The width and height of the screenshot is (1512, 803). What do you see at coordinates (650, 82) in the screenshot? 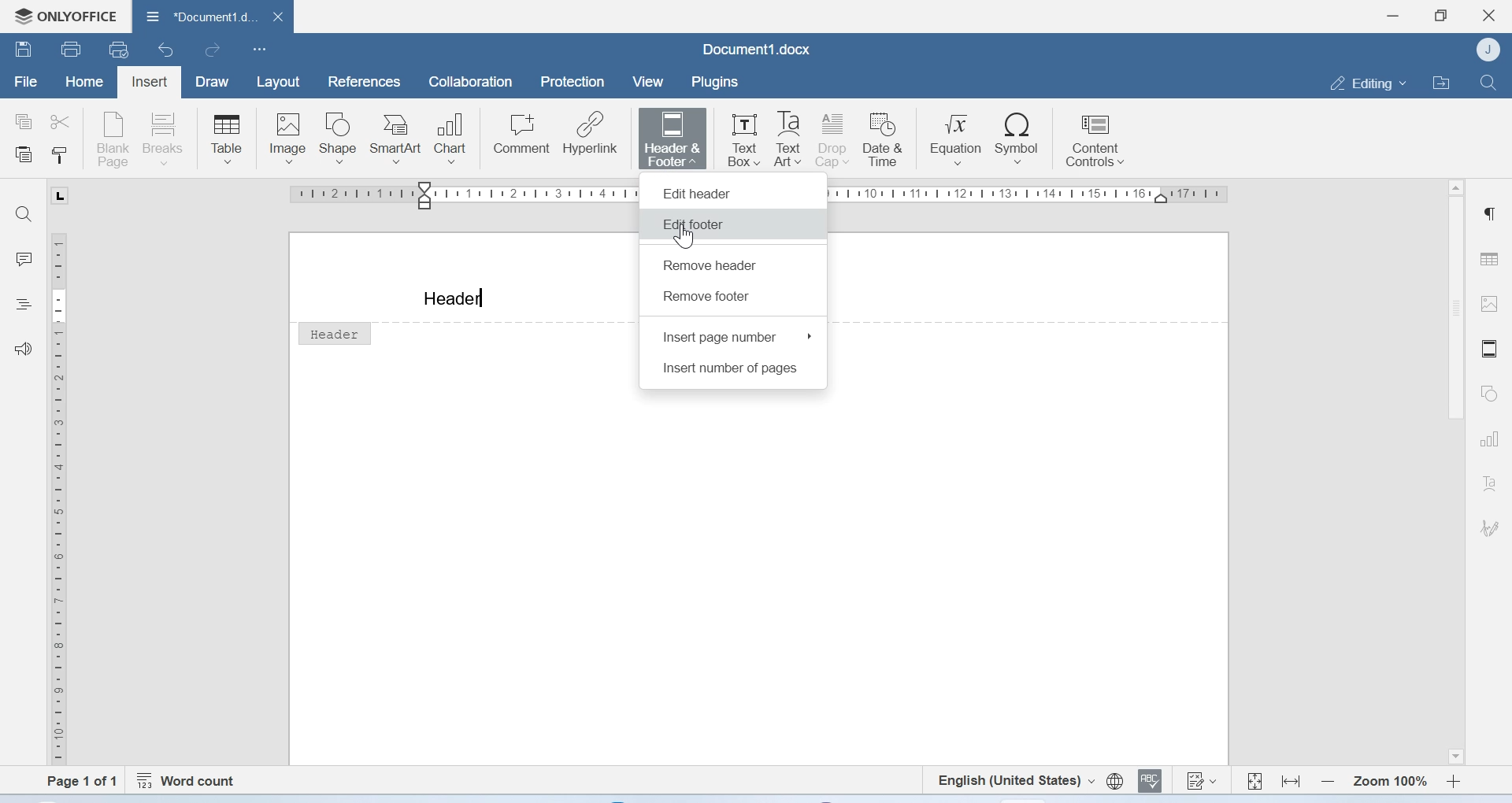
I see `View` at bounding box center [650, 82].